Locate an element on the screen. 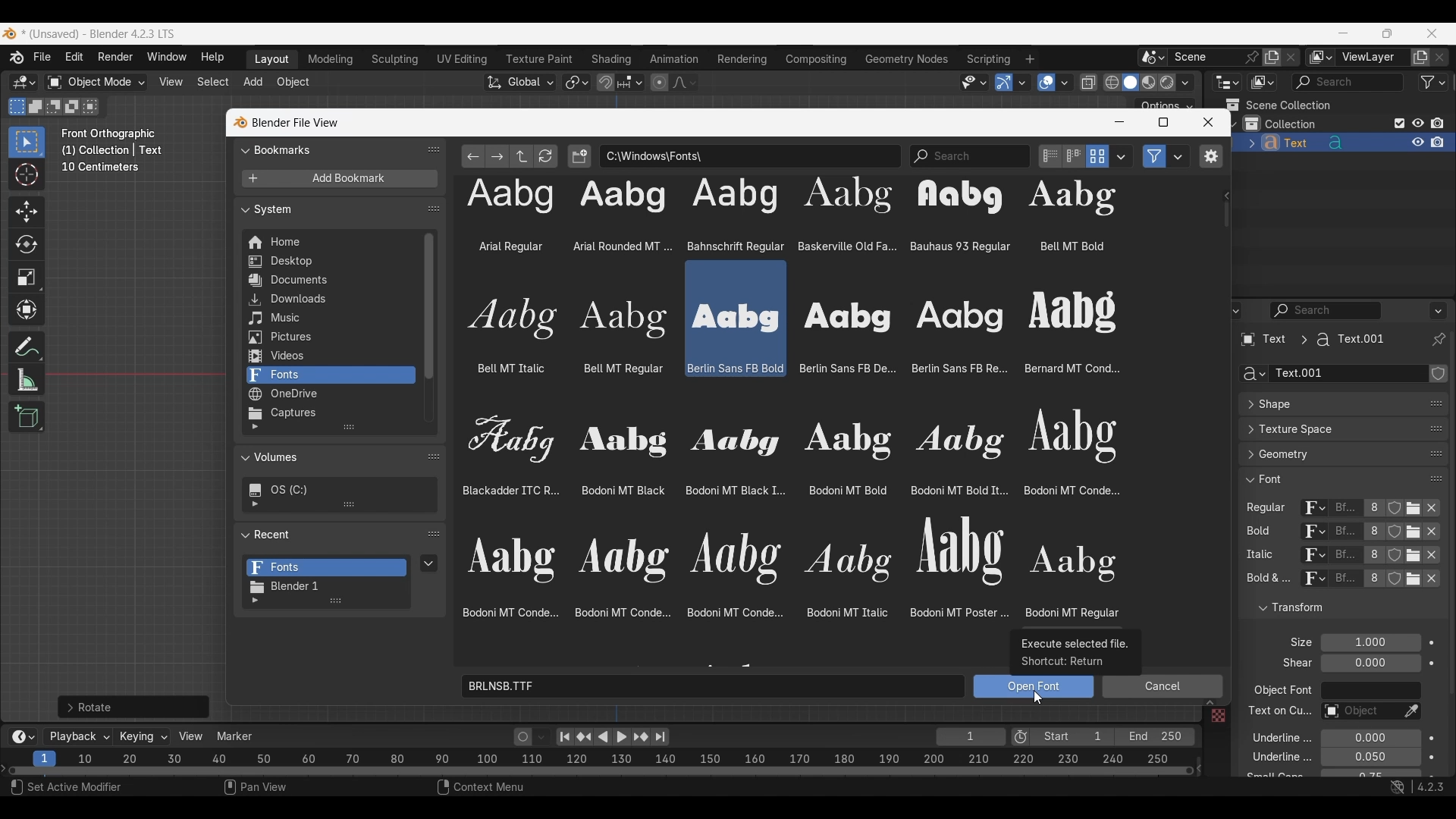 The width and height of the screenshot is (1456, 819). italic is located at coordinates (1257, 555).